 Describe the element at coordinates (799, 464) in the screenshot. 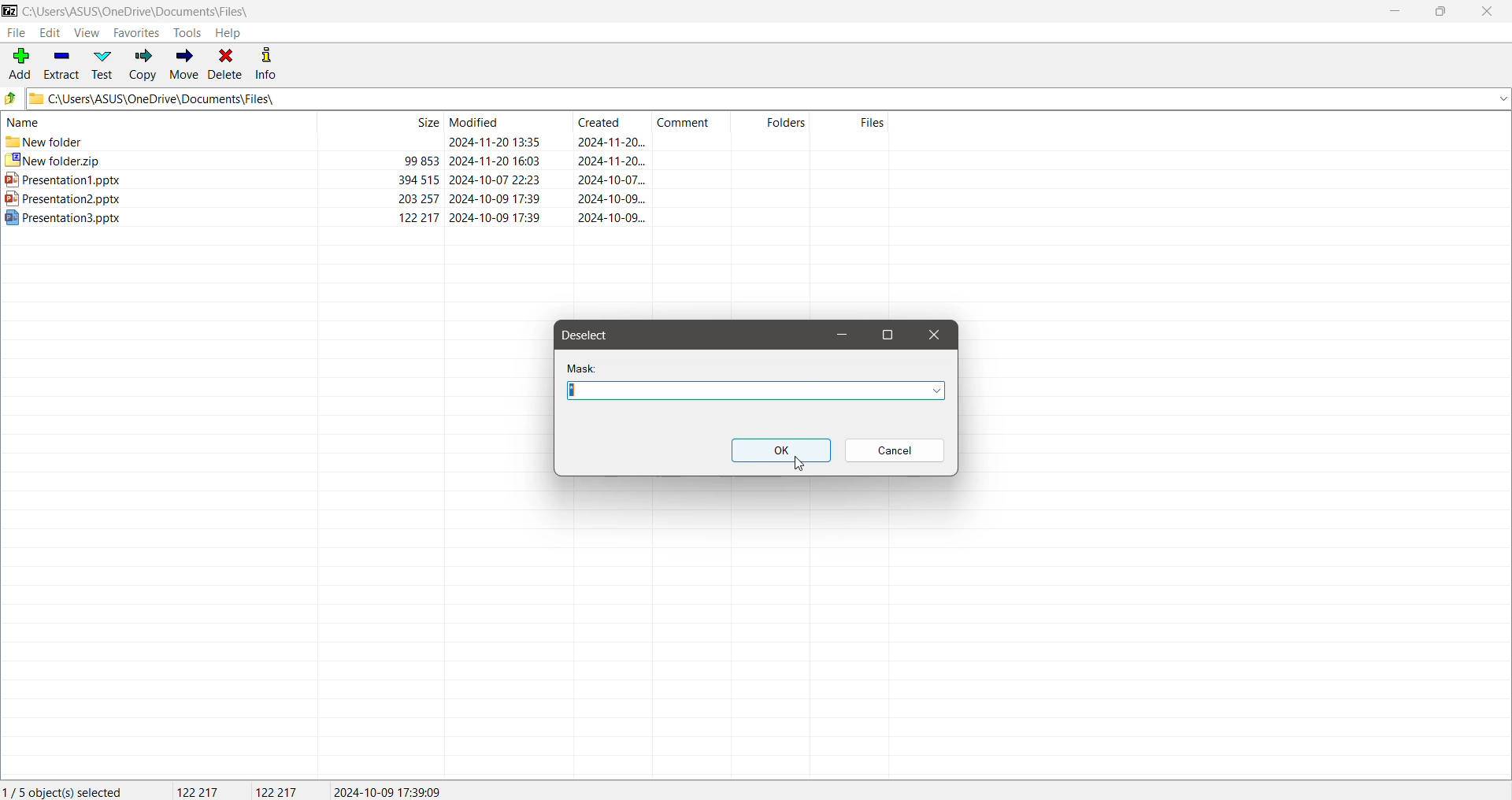

I see `cursor` at that location.